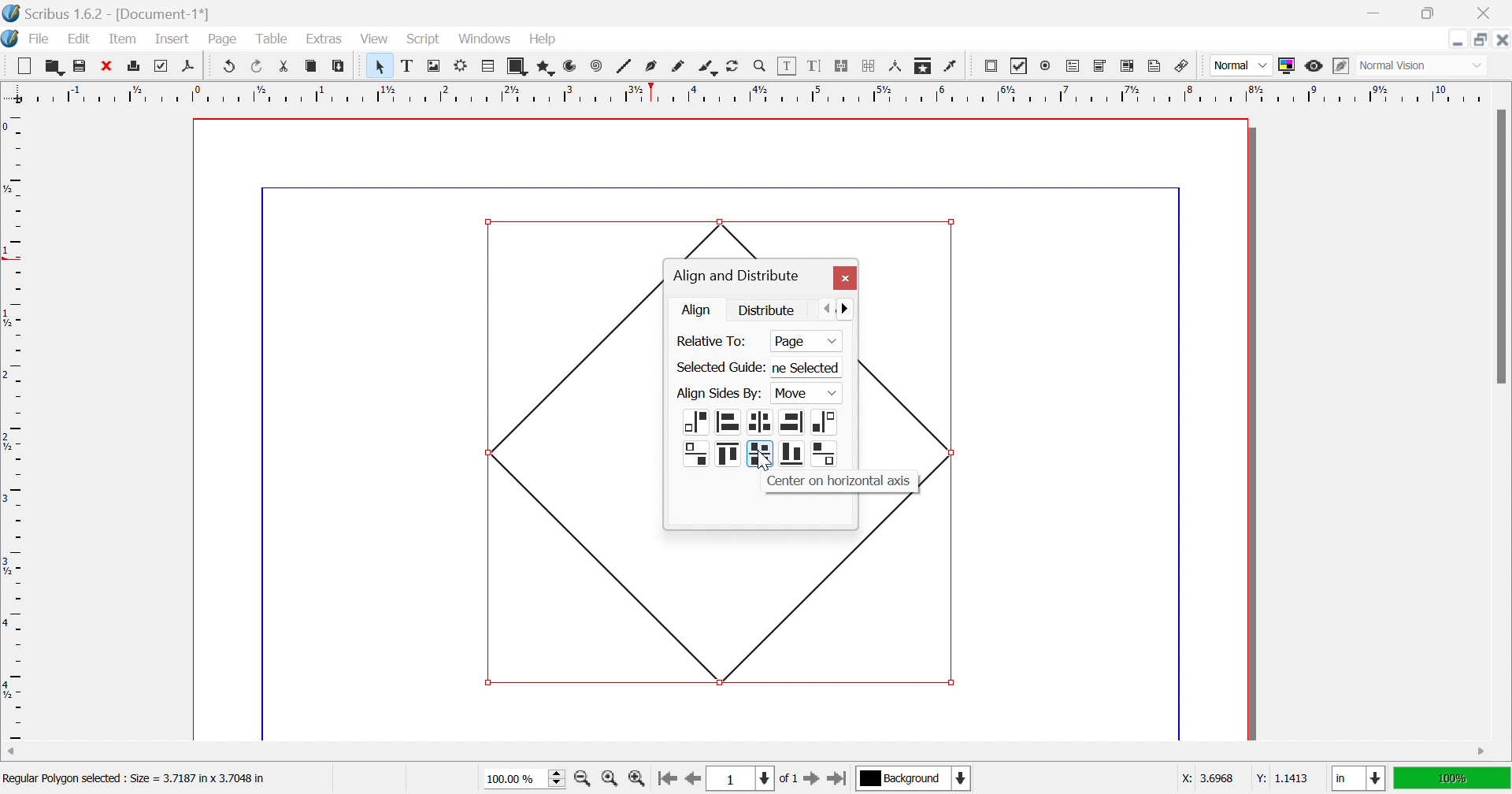 Image resolution: width=1512 pixels, height=794 pixels. What do you see at coordinates (952, 66) in the screenshot?
I see `Eye dropper` at bounding box center [952, 66].